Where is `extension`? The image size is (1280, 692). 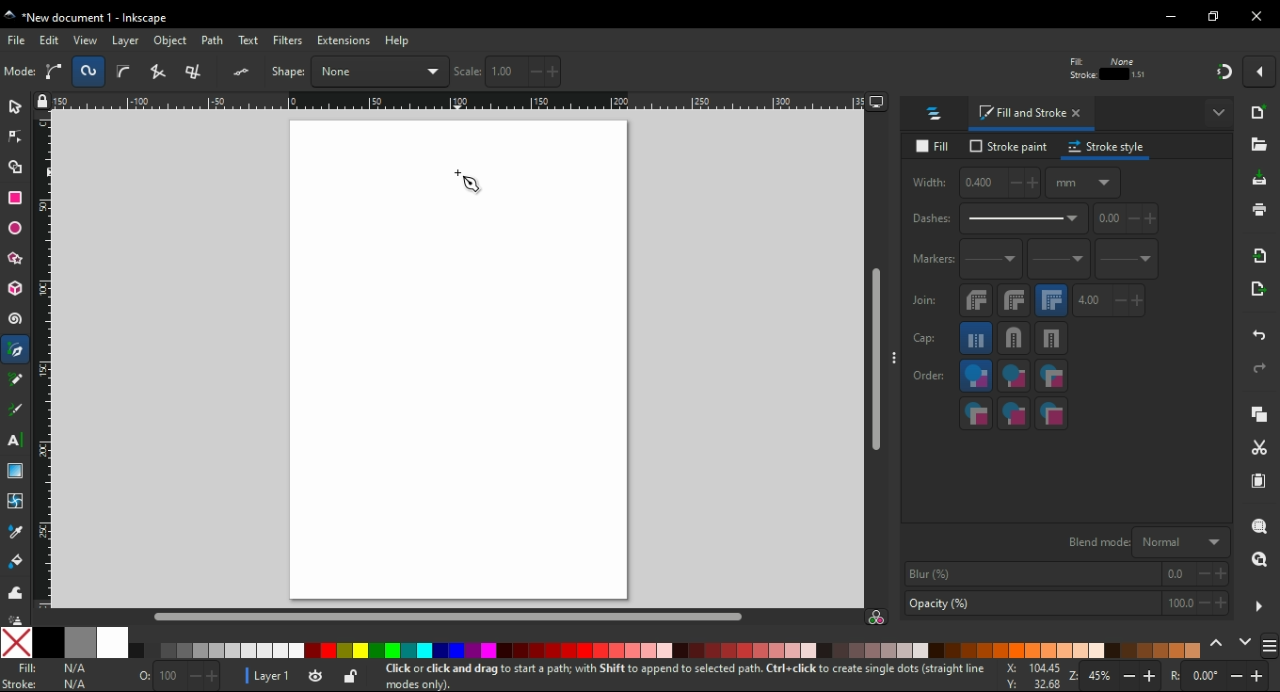
extension is located at coordinates (342, 39).